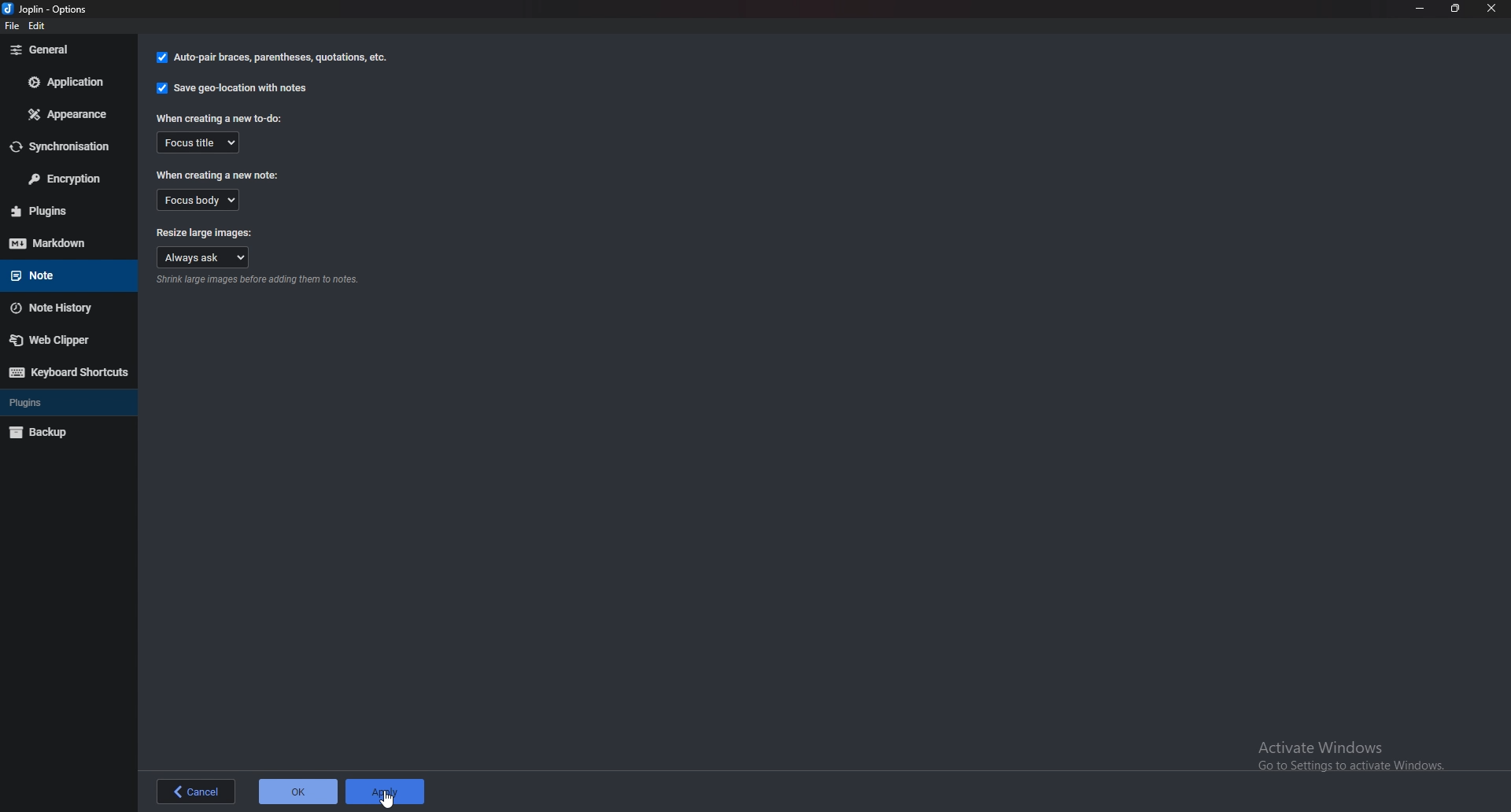 Image resolution: width=1511 pixels, height=812 pixels. I want to click on options, so click(49, 8).